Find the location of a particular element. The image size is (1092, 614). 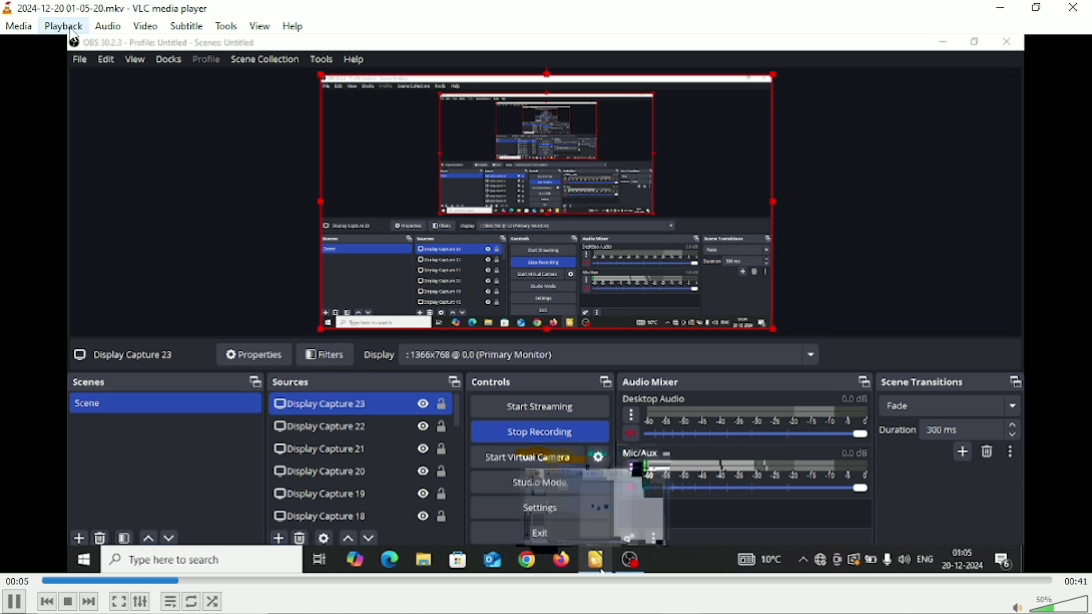

Audio is located at coordinates (105, 25).